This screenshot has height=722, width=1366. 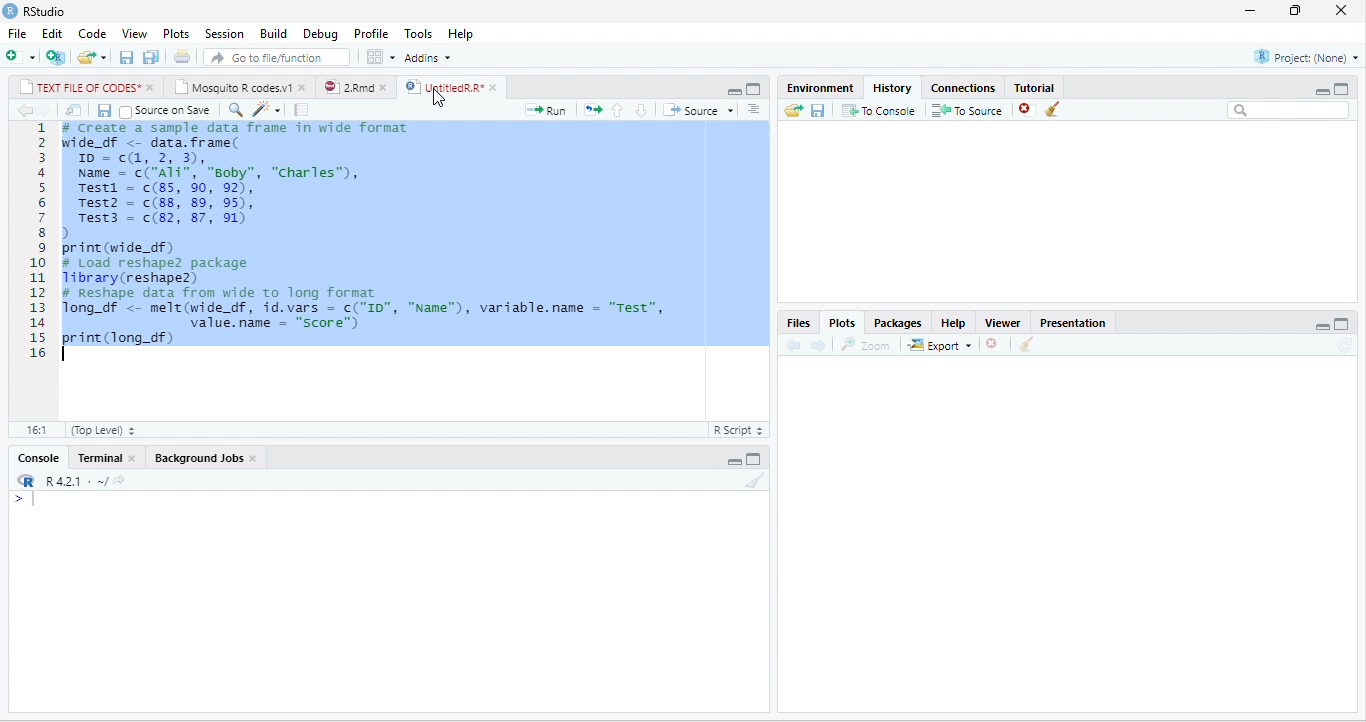 I want to click on save, so click(x=105, y=110).